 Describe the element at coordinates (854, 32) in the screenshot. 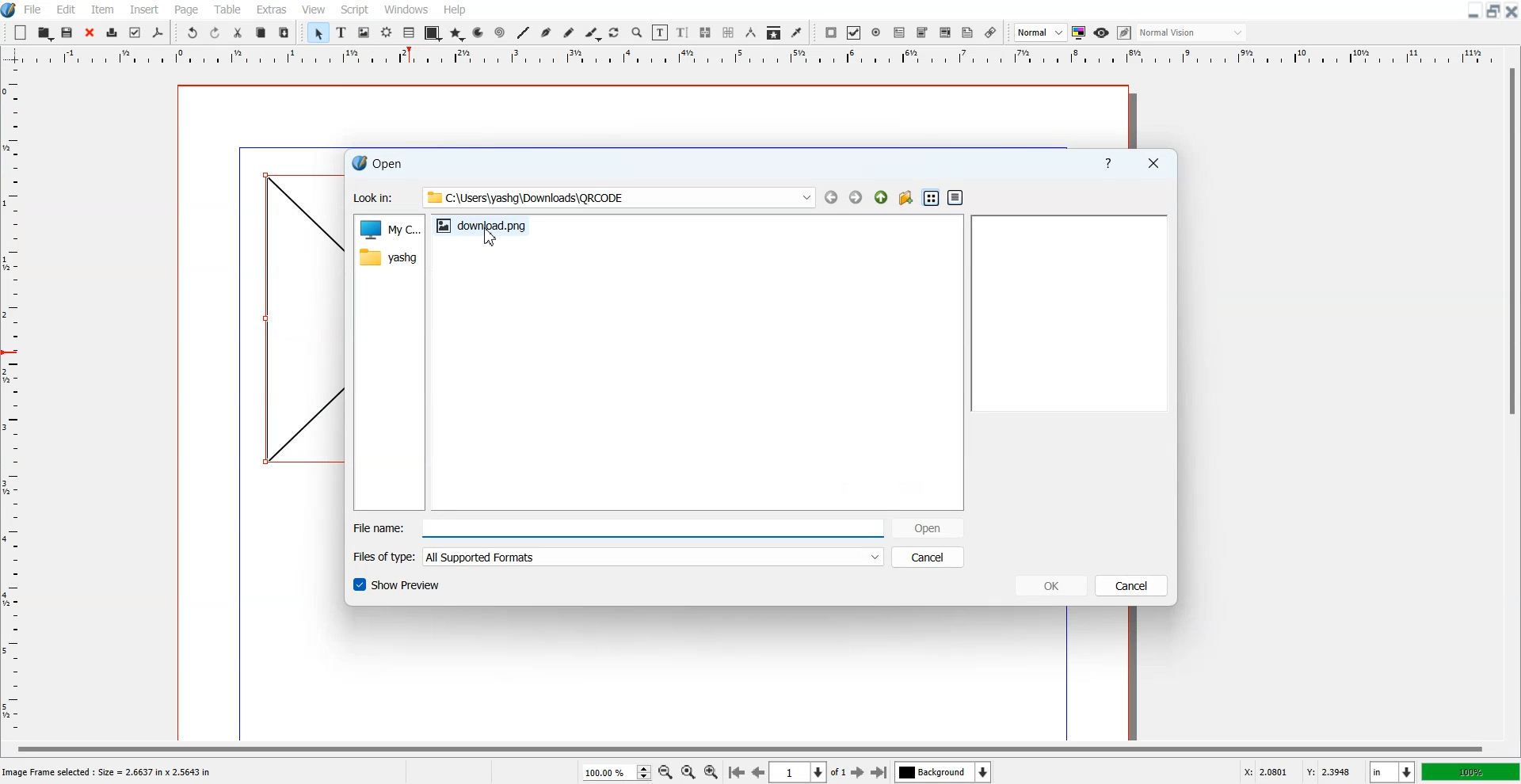

I see `PDF Check Box` at that location.